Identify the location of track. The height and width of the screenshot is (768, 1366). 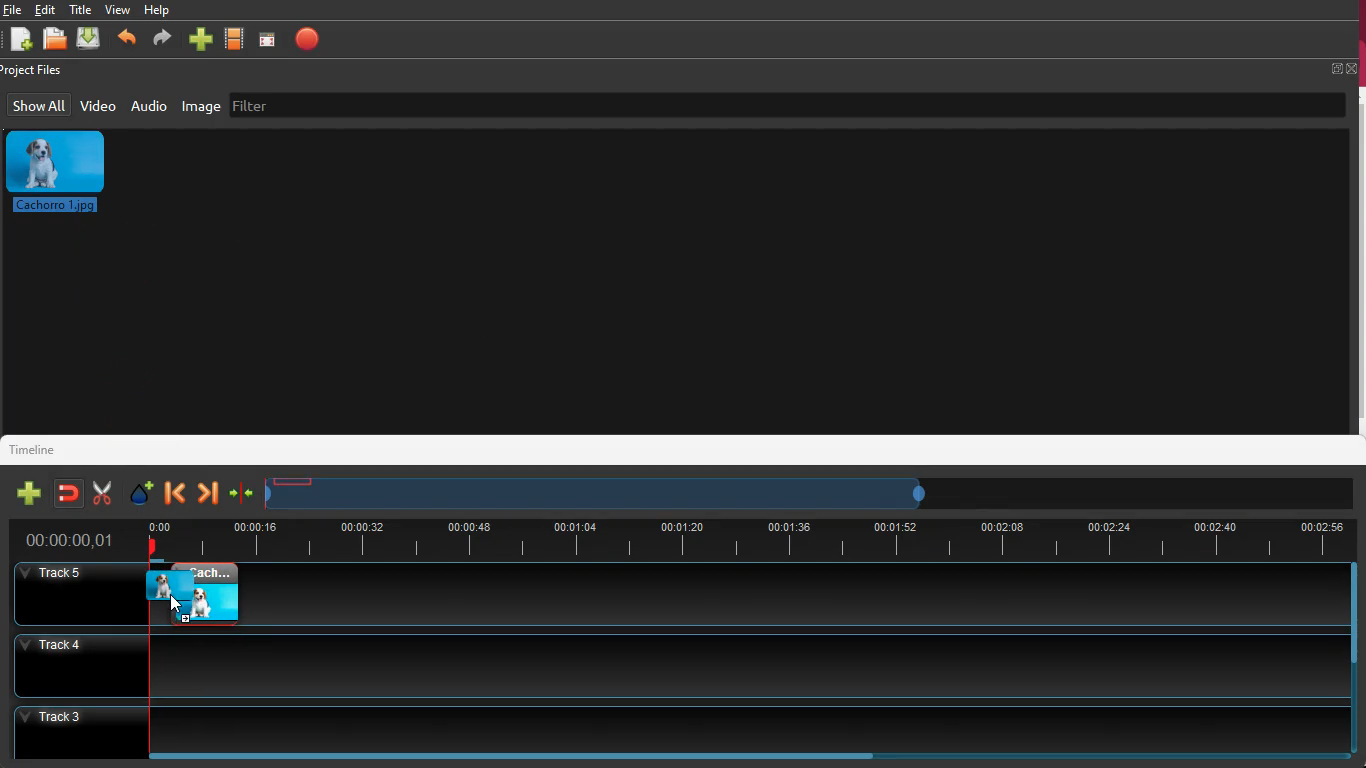
(674, 664).